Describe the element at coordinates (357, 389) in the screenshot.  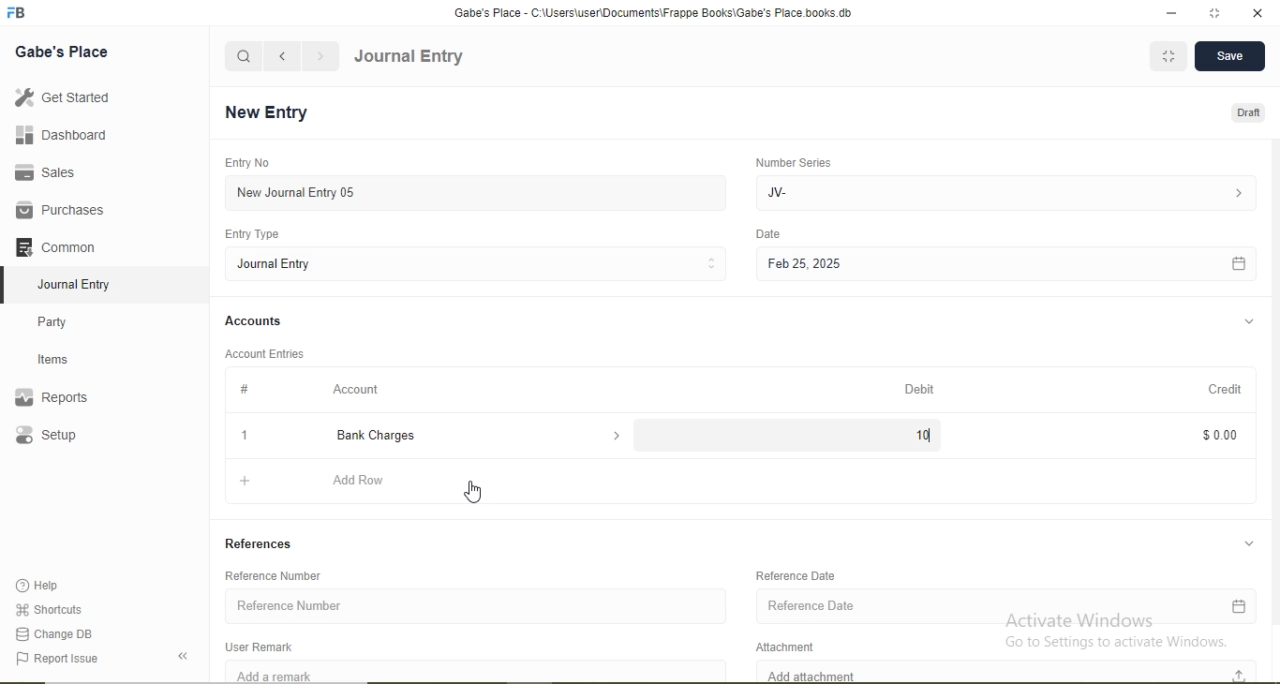
I see `Account` at that location.